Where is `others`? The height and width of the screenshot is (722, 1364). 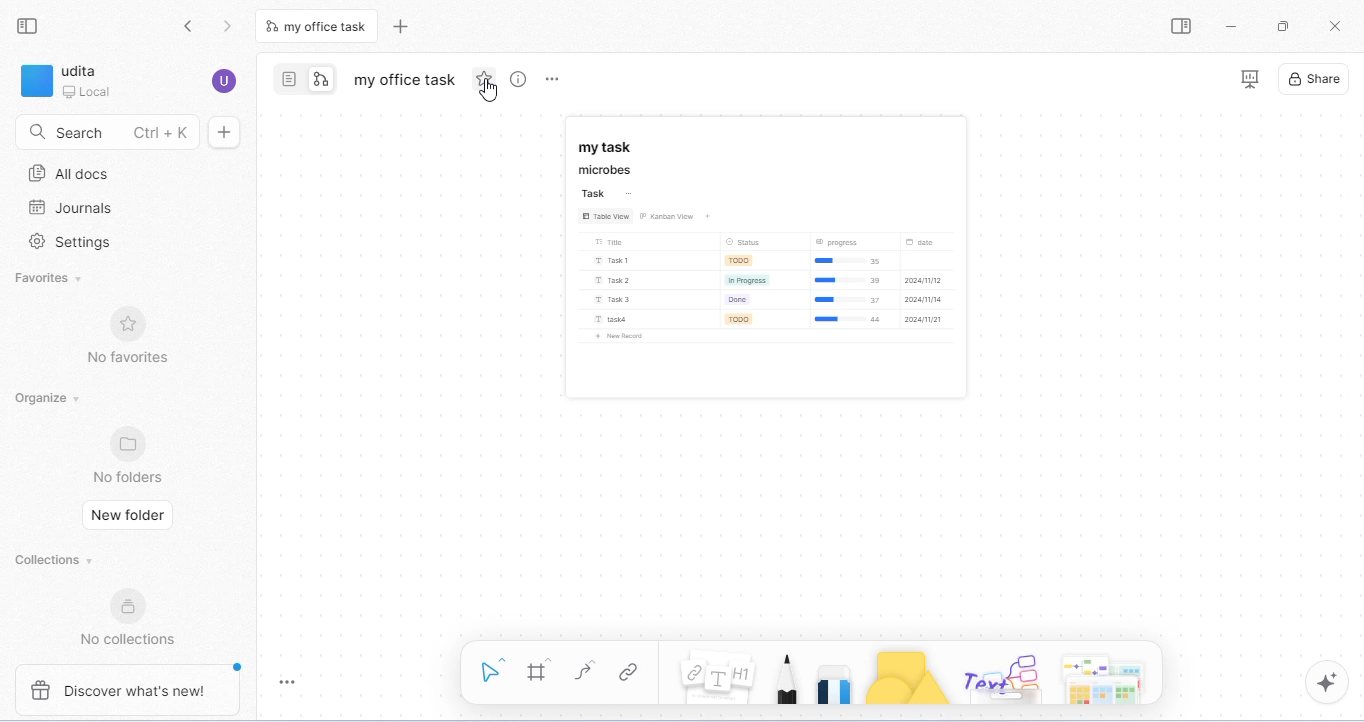 others is located at coordinates (1004, 677).